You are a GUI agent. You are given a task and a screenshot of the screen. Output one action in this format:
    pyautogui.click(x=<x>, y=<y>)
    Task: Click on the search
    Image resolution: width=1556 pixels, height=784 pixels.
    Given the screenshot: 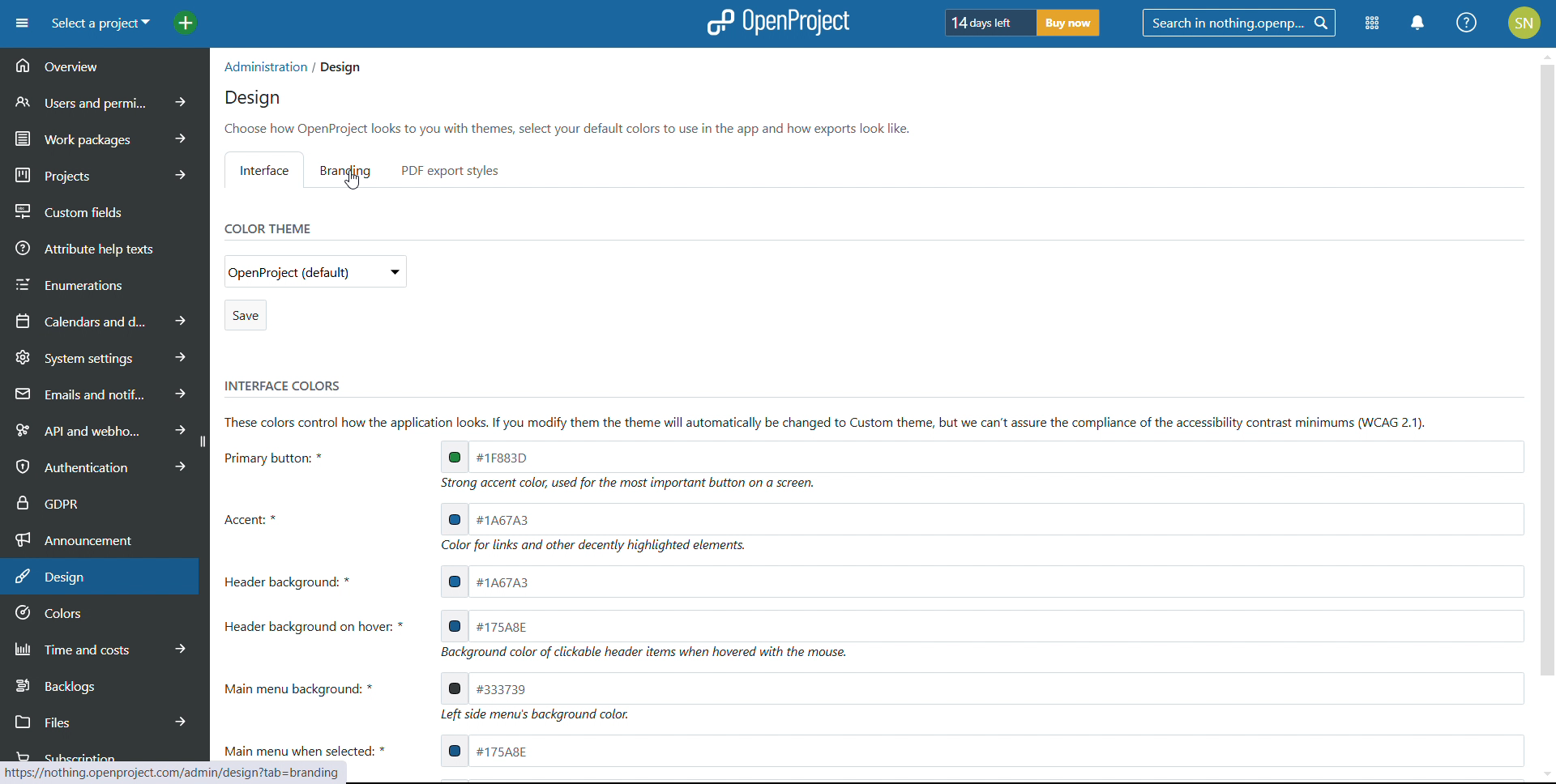 What is the action you would take?
    pyautogui.click(x=1238, y=23)
    